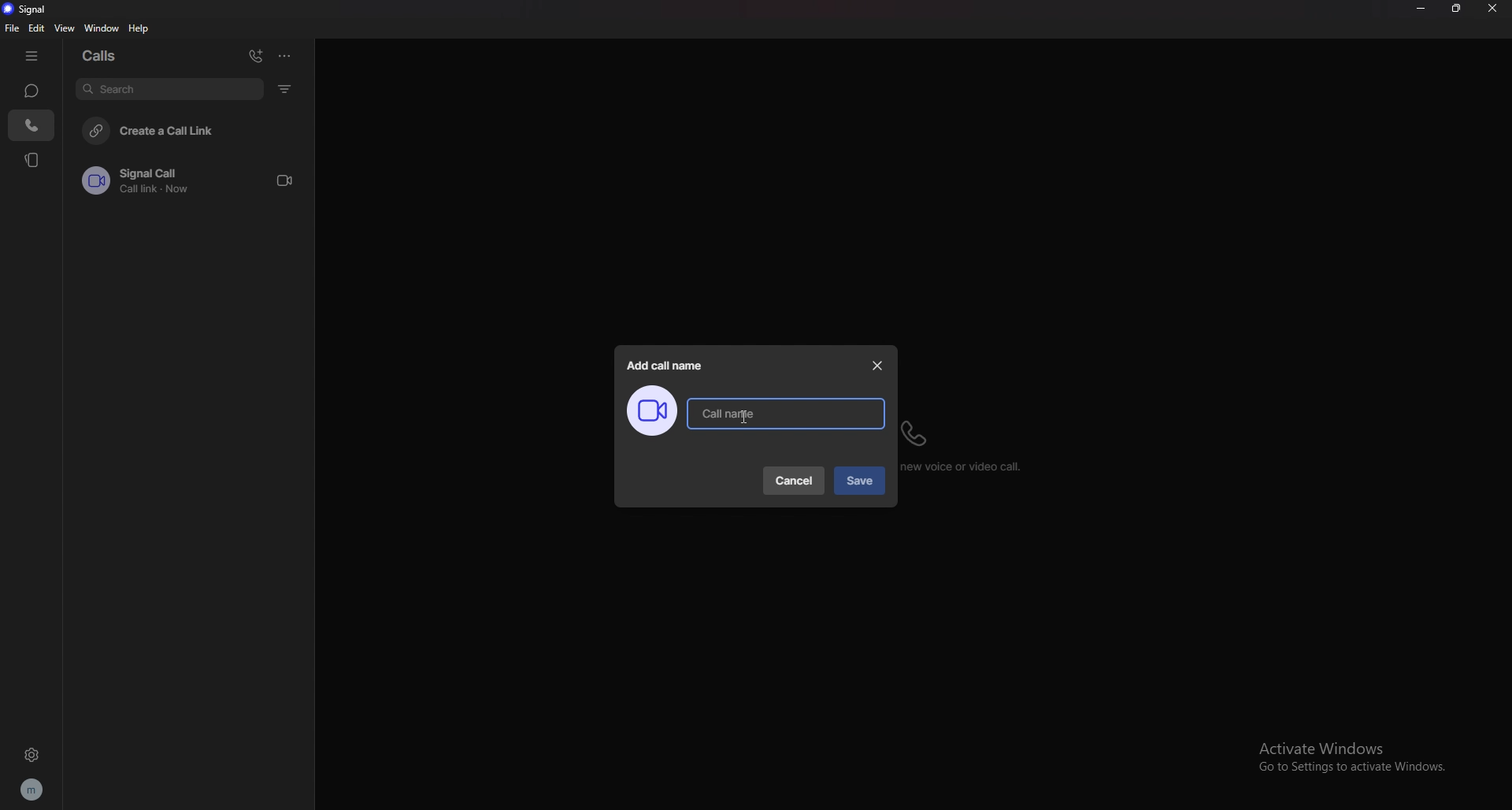  I want to click on view, so click(65, 28).